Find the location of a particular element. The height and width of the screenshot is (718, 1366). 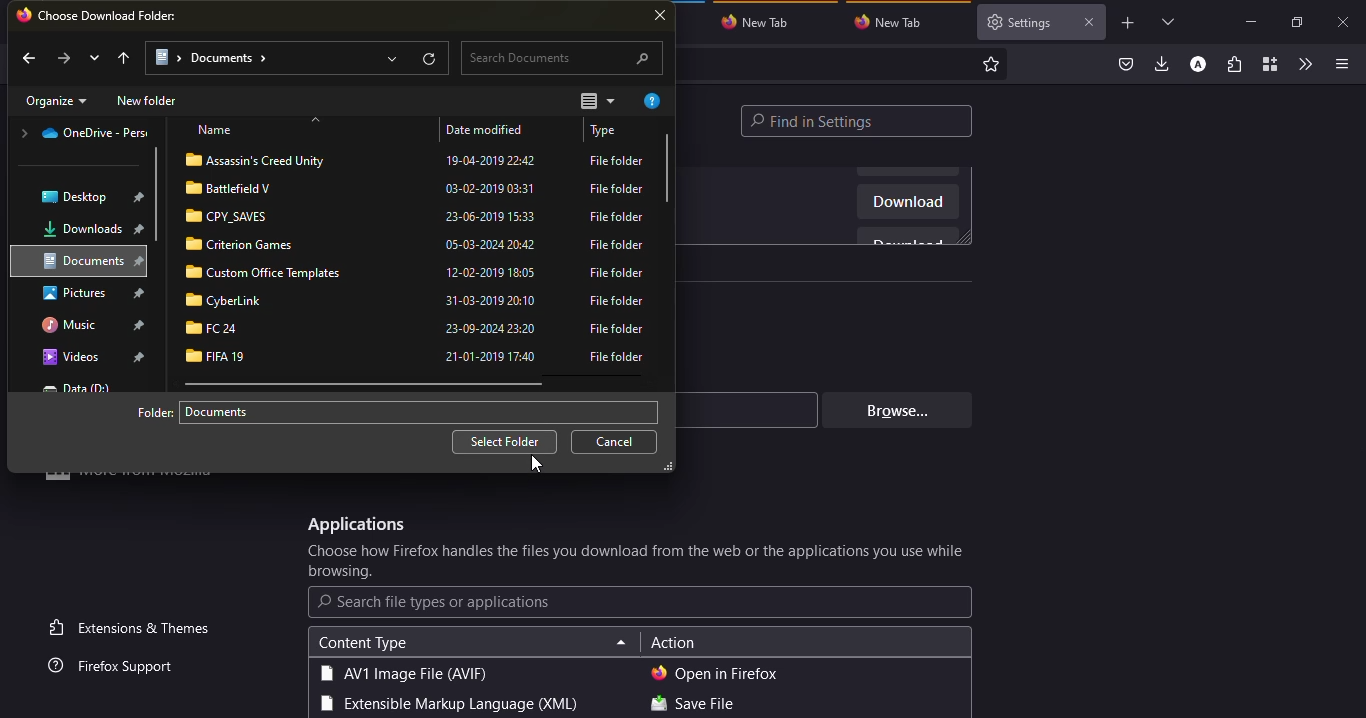

date modified is located at coordinates (492, 159).